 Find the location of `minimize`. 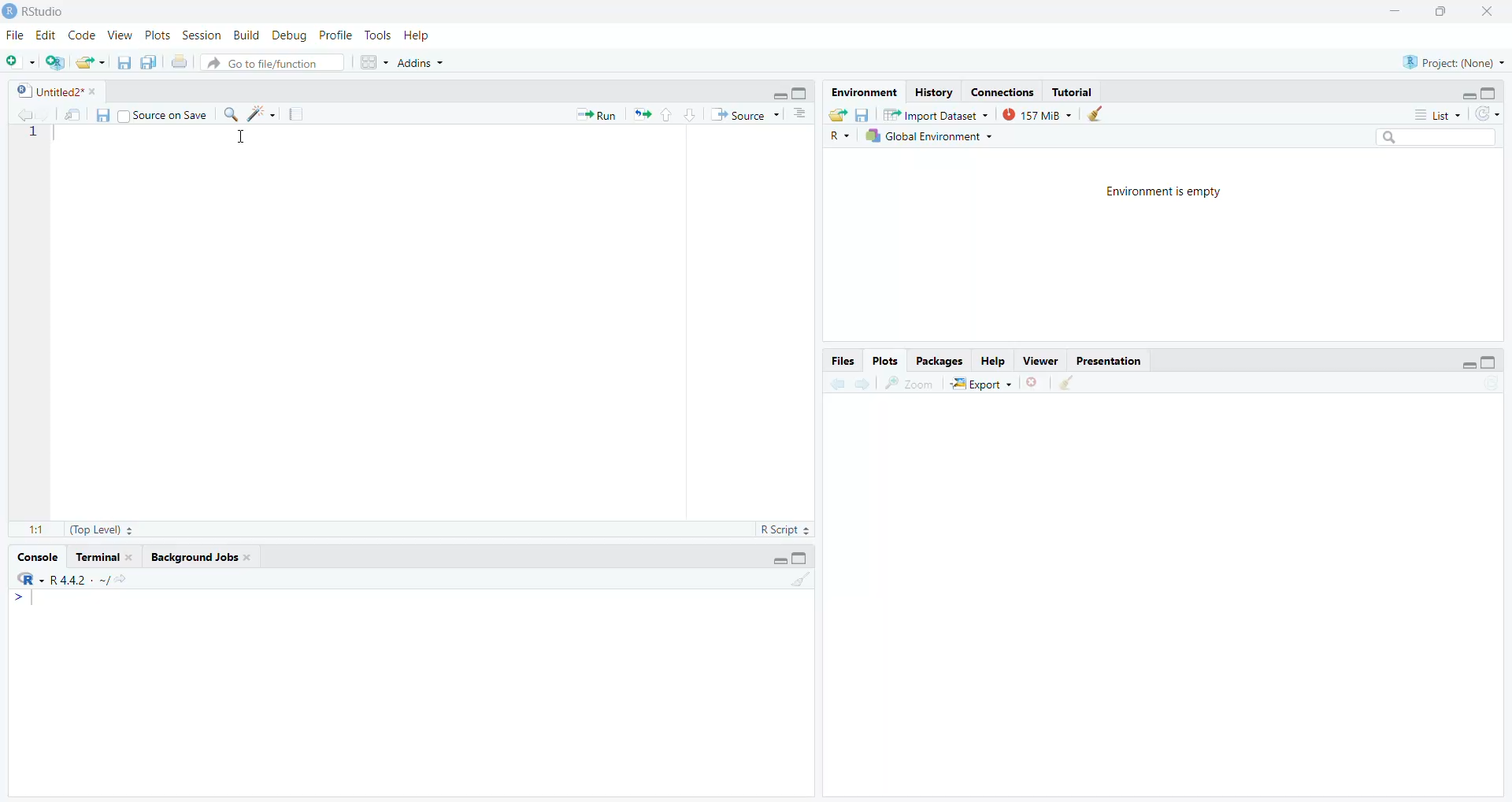

minimize is located at coordinates (780, 95).